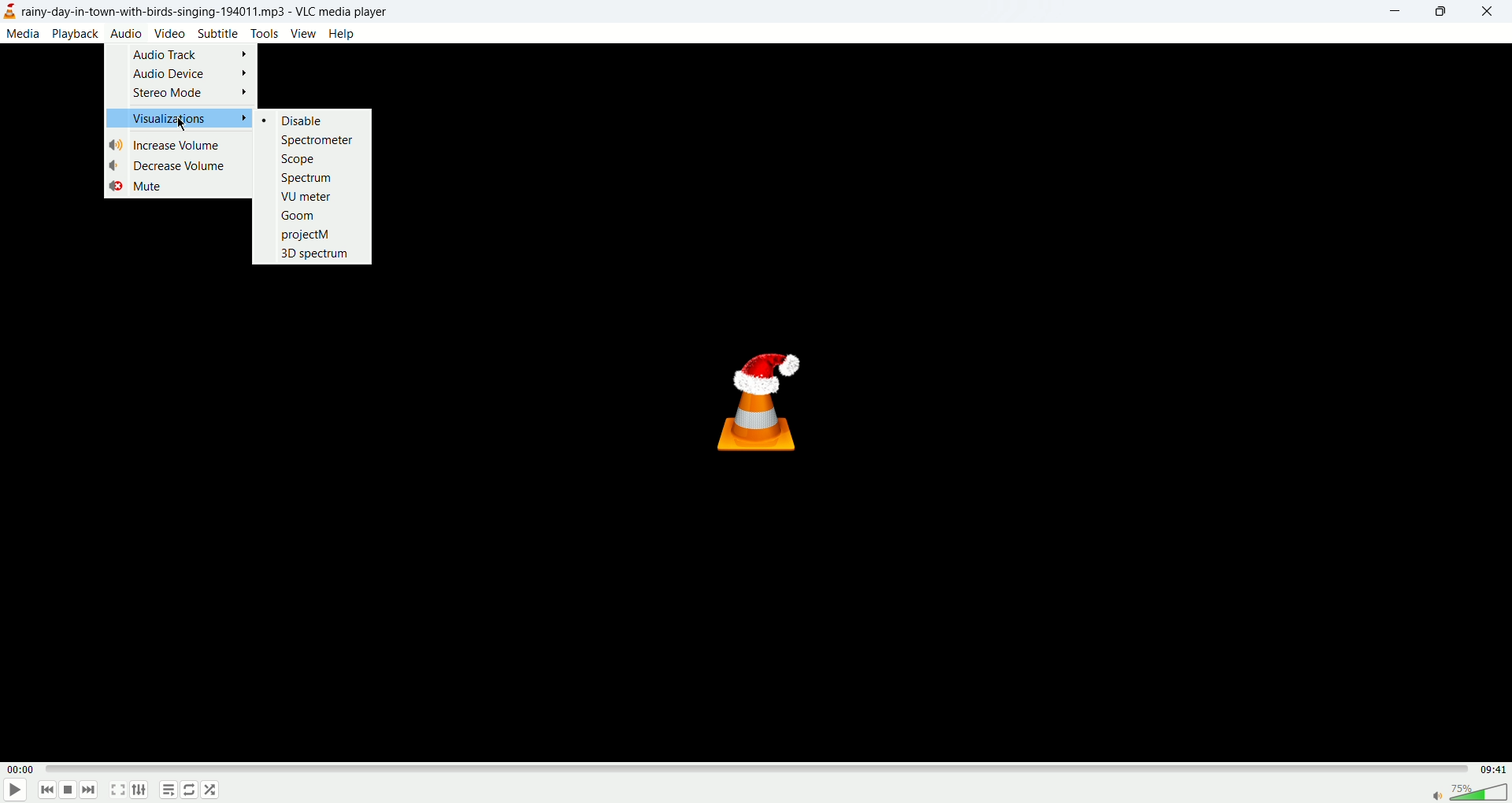  I want to click on help, so click(341, 34).